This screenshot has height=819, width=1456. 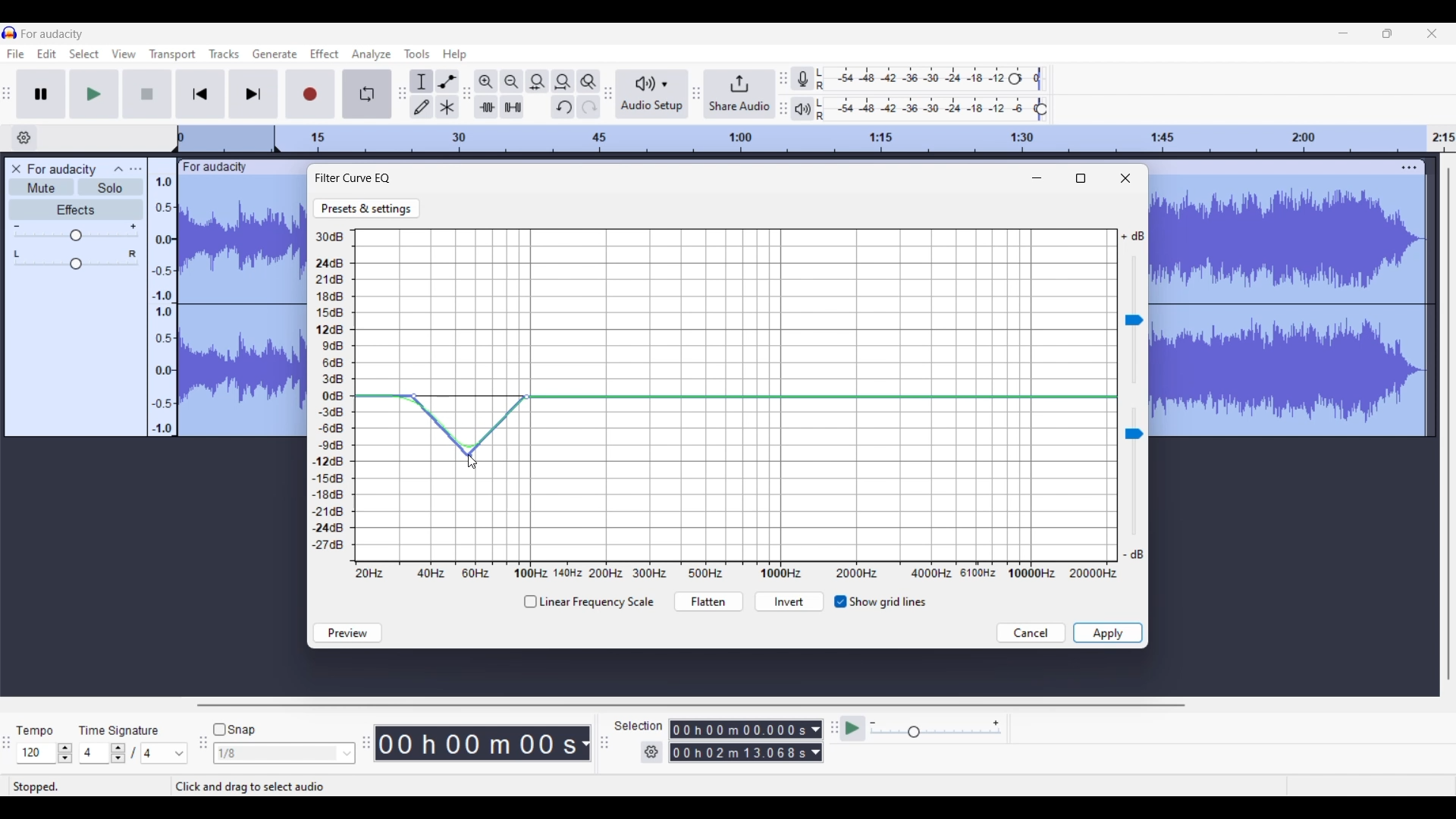 I want to click on Go to Presets and settings, so click(x=367, y=209).